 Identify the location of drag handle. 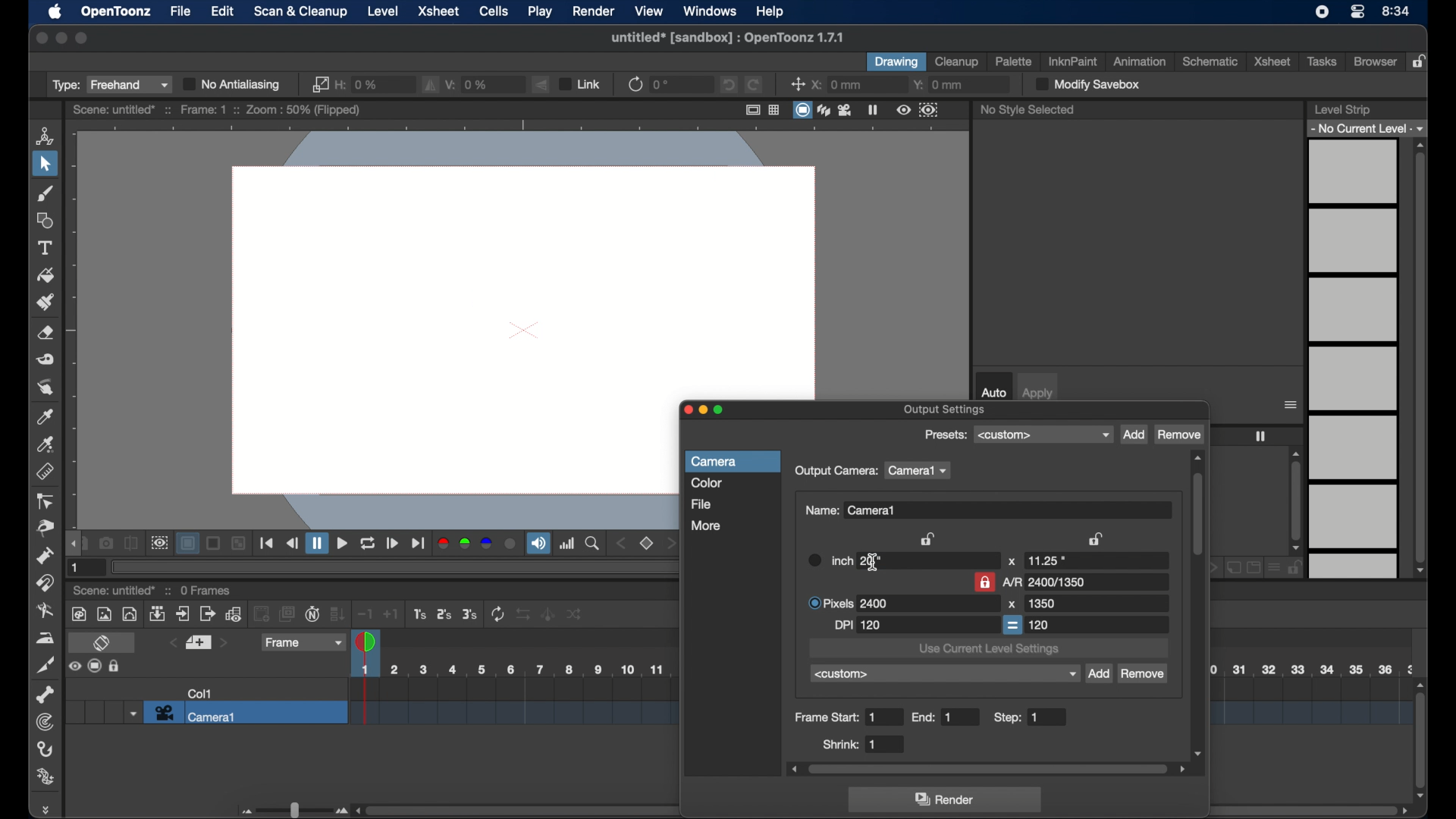
(49, 809).